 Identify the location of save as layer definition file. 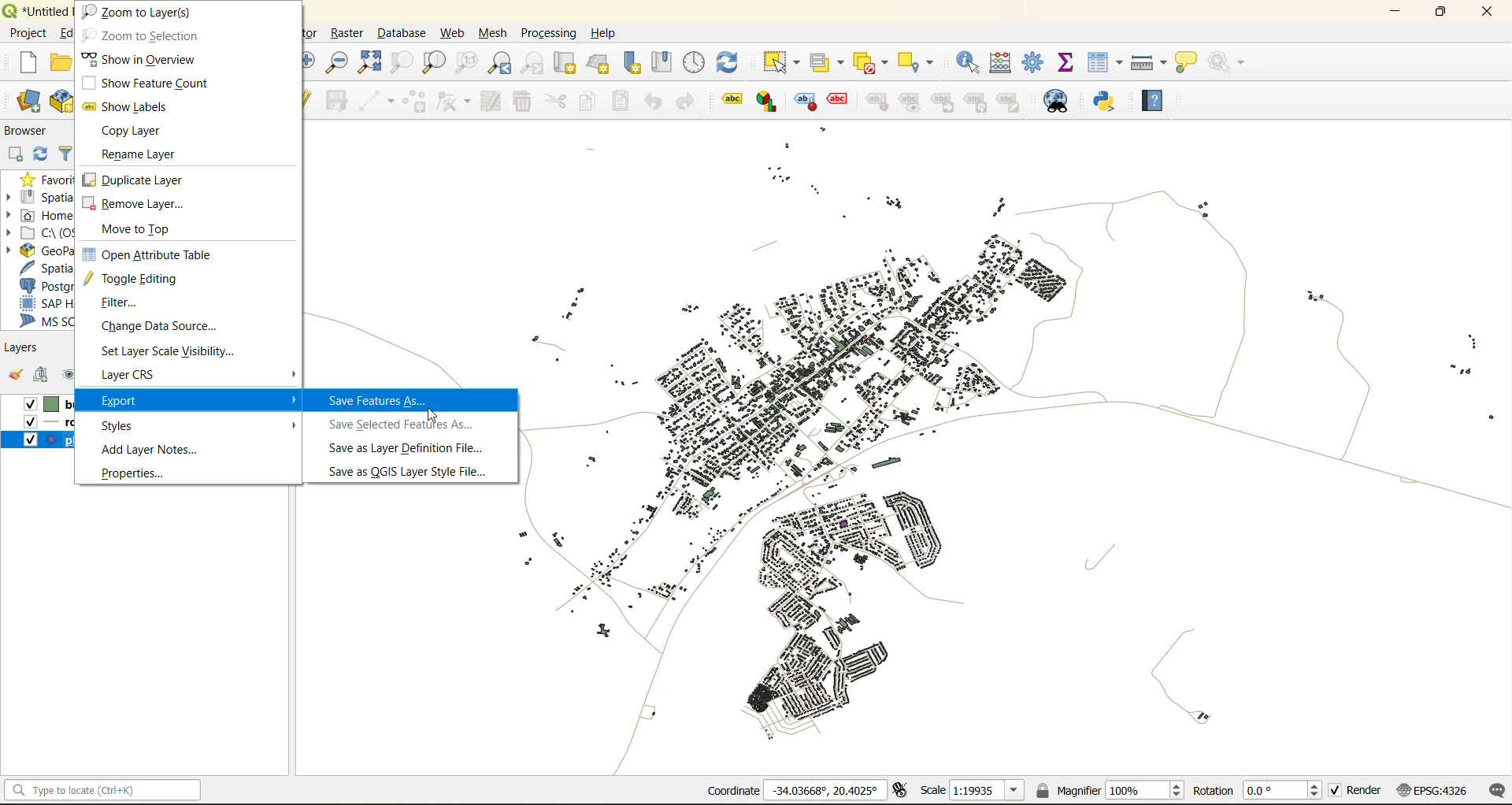
(406, 451).